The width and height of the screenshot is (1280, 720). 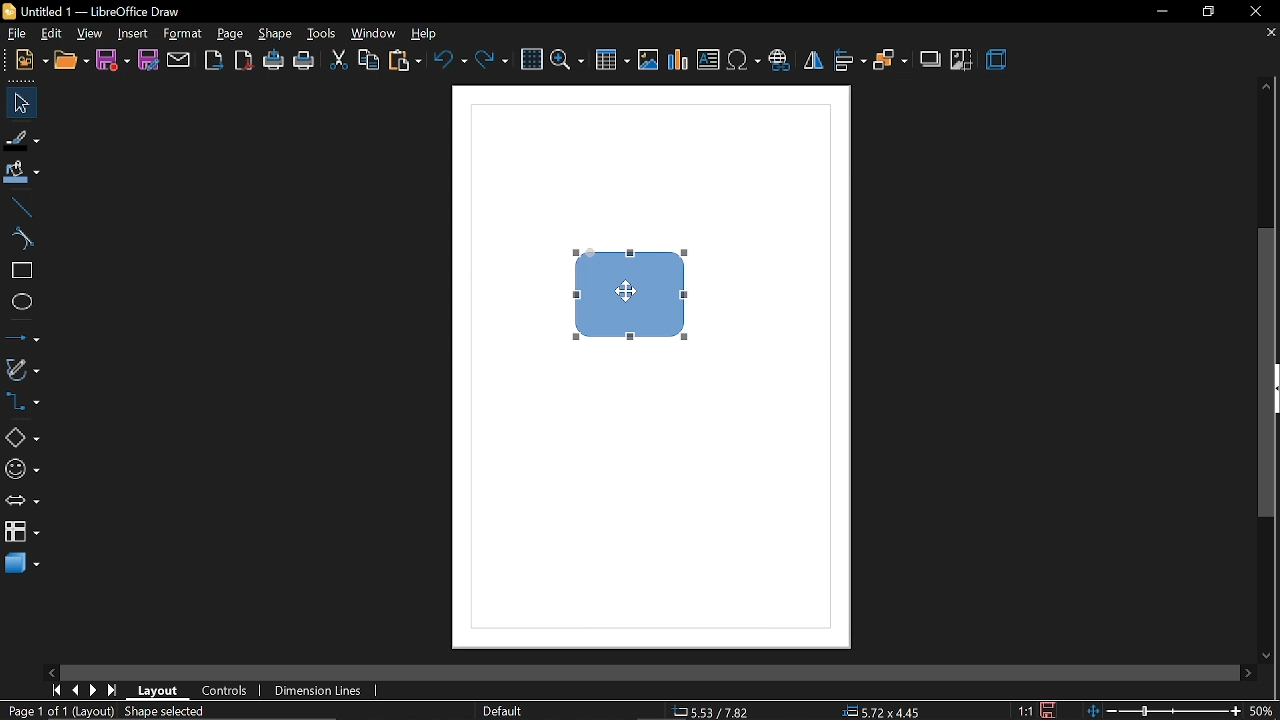 What do you see at coordinates (72, 61) in the screenshot?
I see `open` at bounding box center [72, 61].